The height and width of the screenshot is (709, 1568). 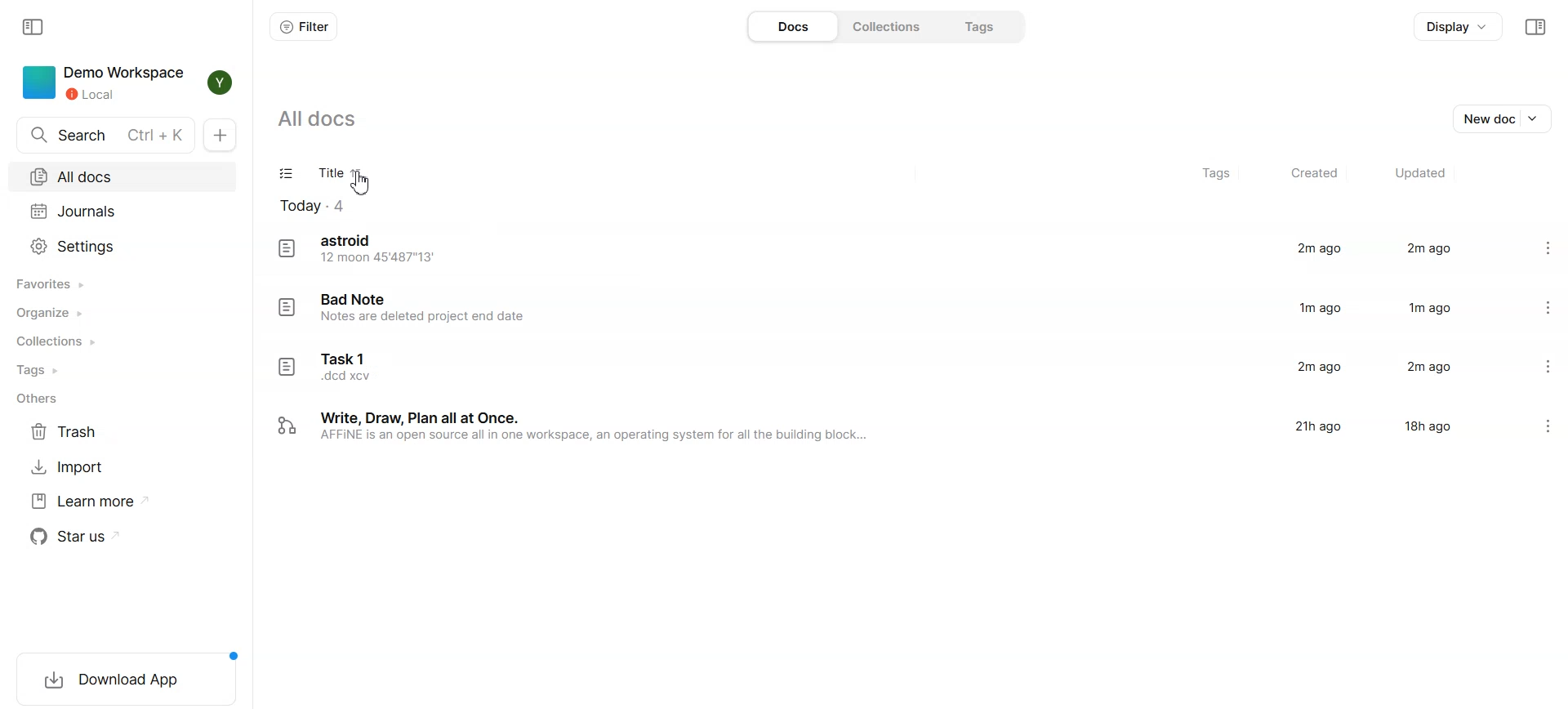 What do you see at coordinates (87, 502) in the screenshot?
I see `Learn more` at bounding box center [87, 502].